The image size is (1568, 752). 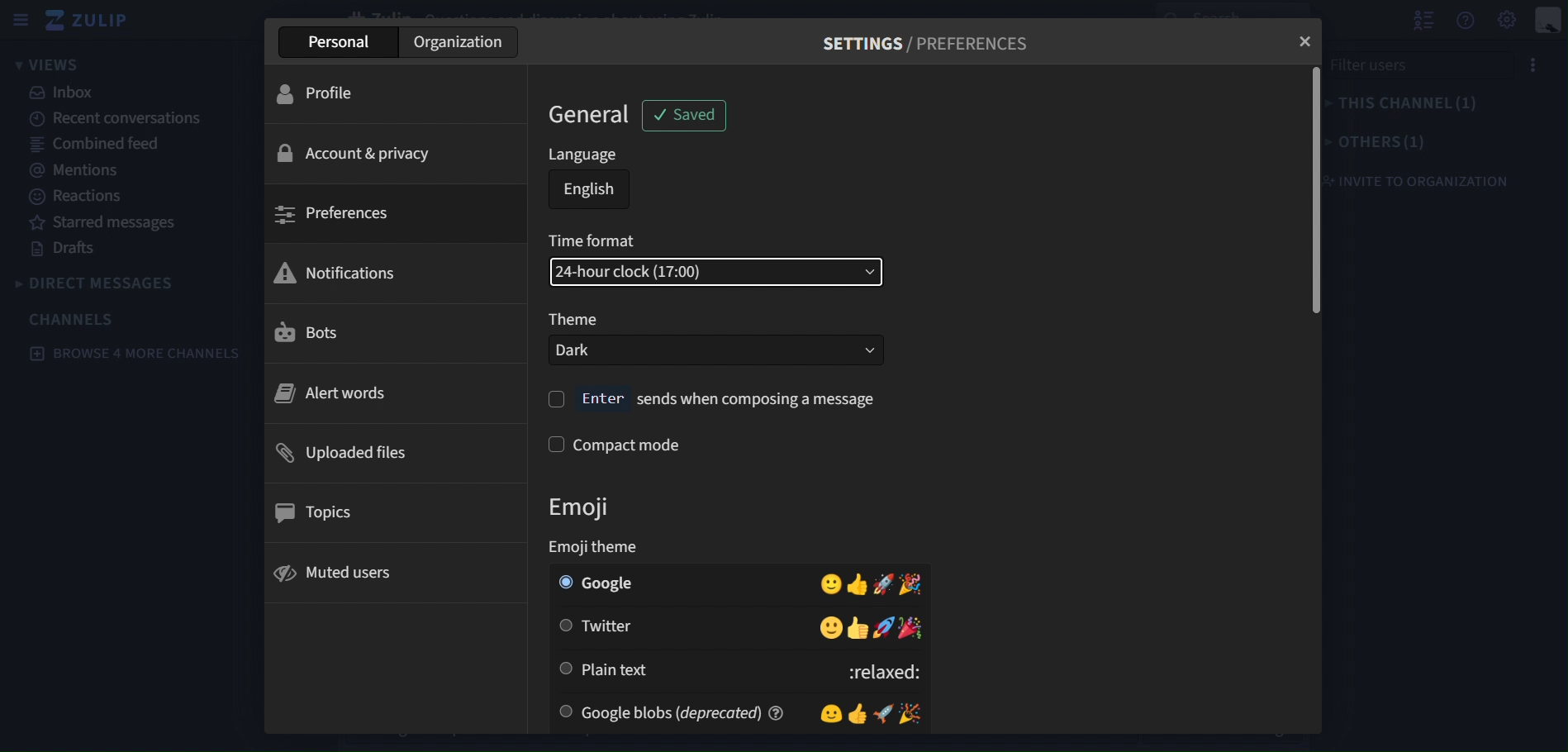 What do you see at coordinates (558, 398) in the screenshot?
I see `check box` at bounding box center [558, 398].